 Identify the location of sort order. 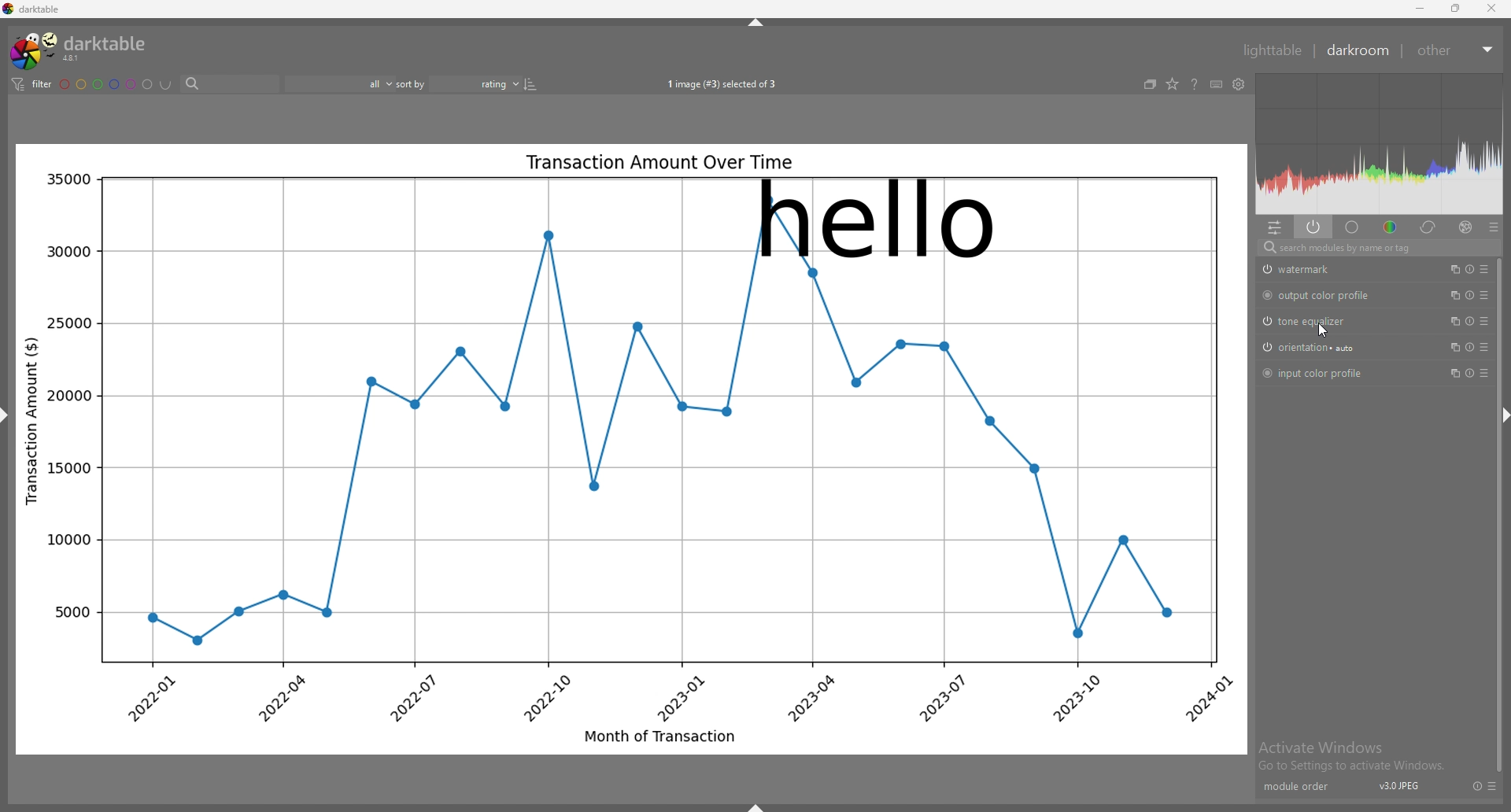
(475, 83).